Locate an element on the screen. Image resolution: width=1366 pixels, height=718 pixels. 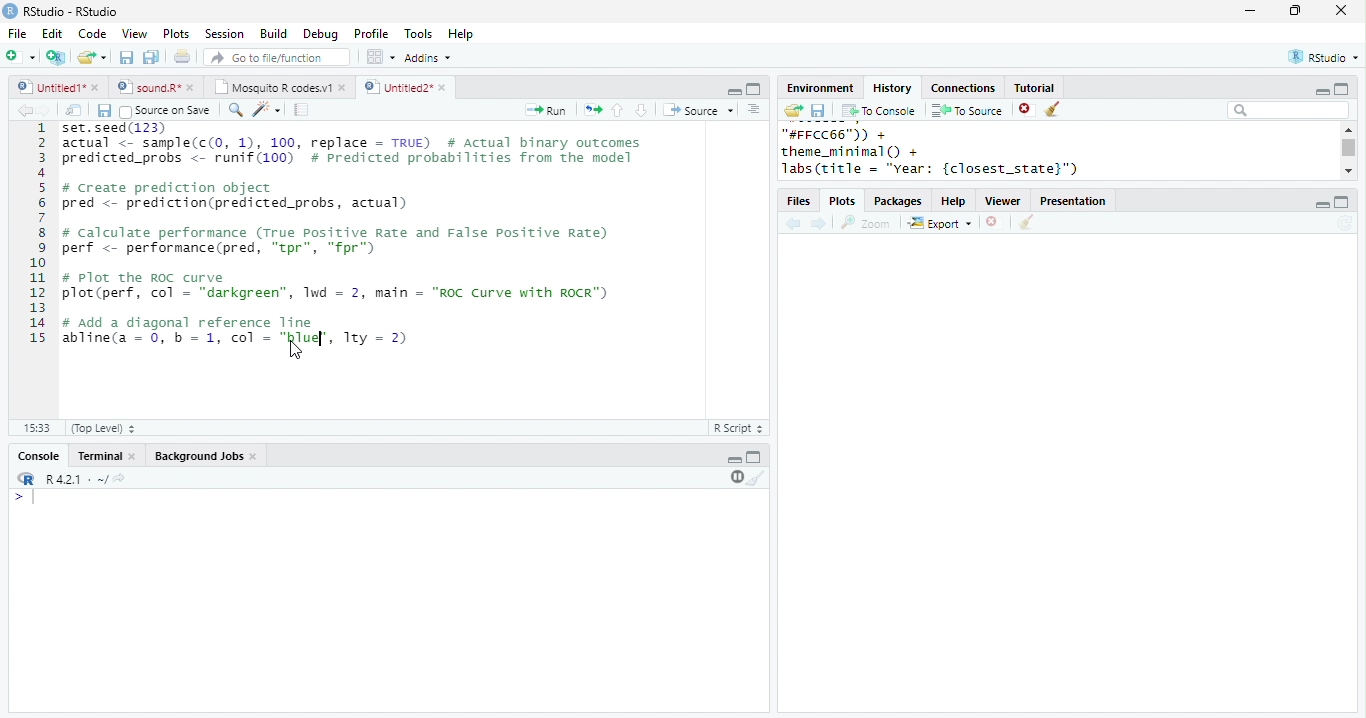
pause is located at coordinates (735, 477).